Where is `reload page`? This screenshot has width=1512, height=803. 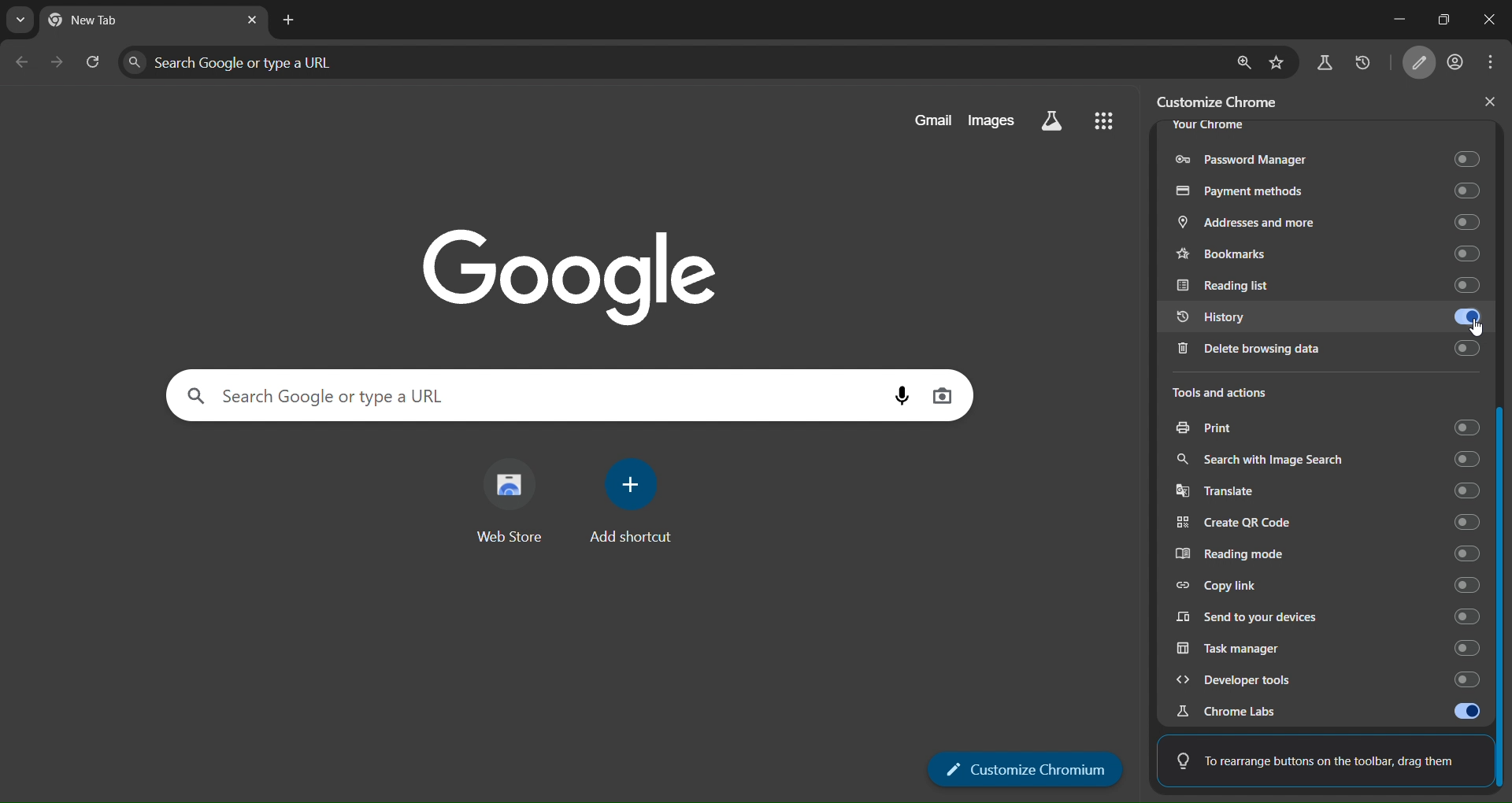 reload page is located at coordinates (93, 60).